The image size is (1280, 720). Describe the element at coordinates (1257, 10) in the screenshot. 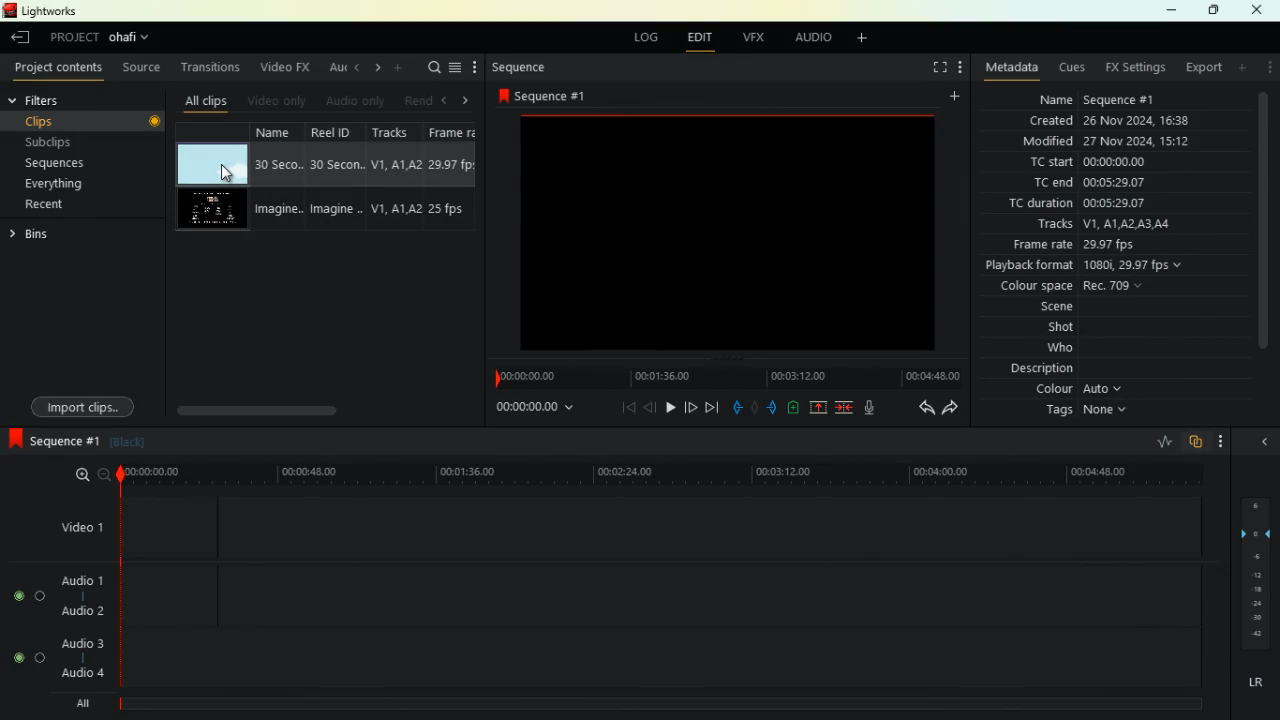

I see `close` at that location.